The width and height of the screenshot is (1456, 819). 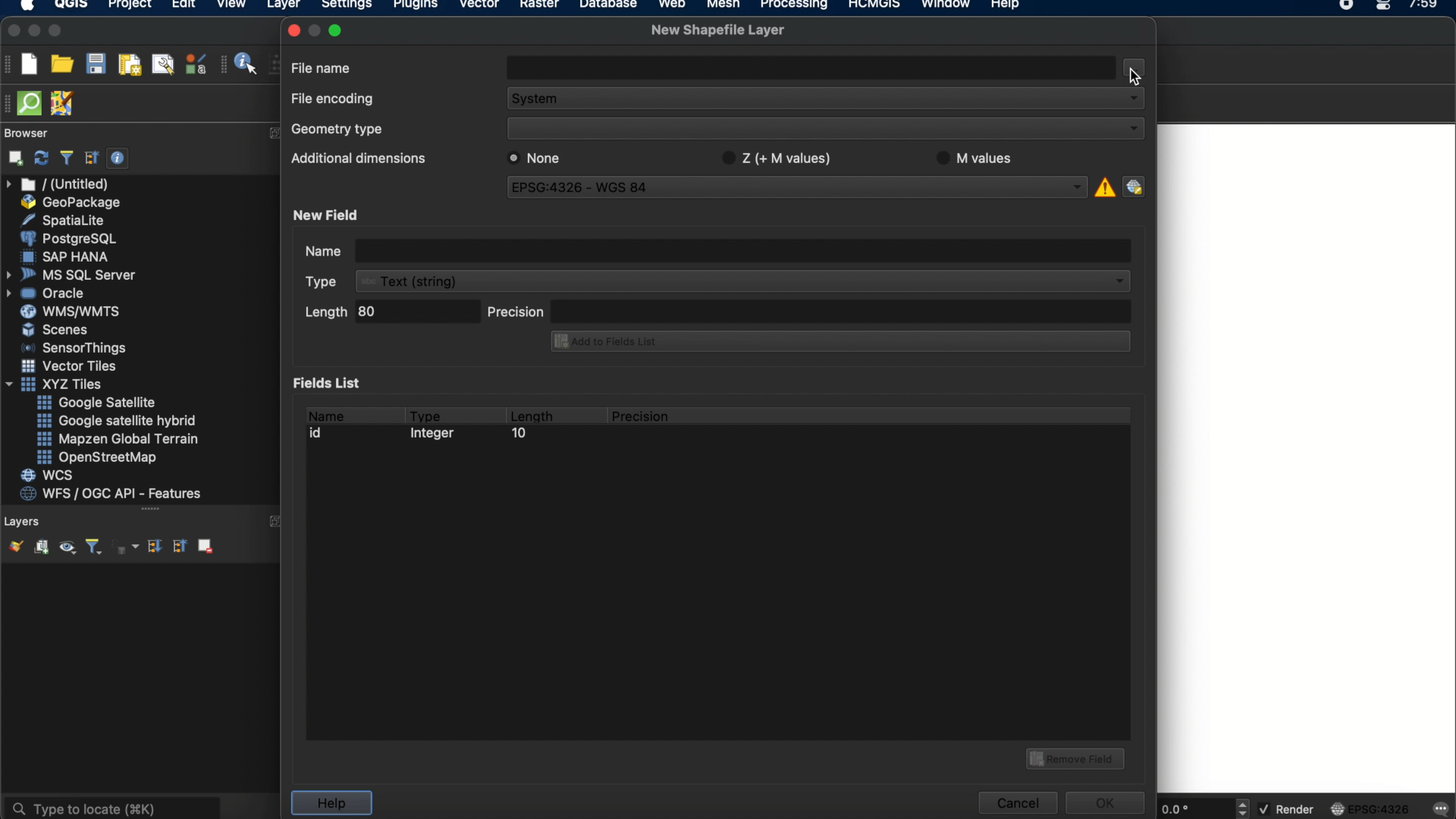 What do you see at coordinates (480, 6) in the screenshot?
I see `vector` at bounding box center [480, 6].